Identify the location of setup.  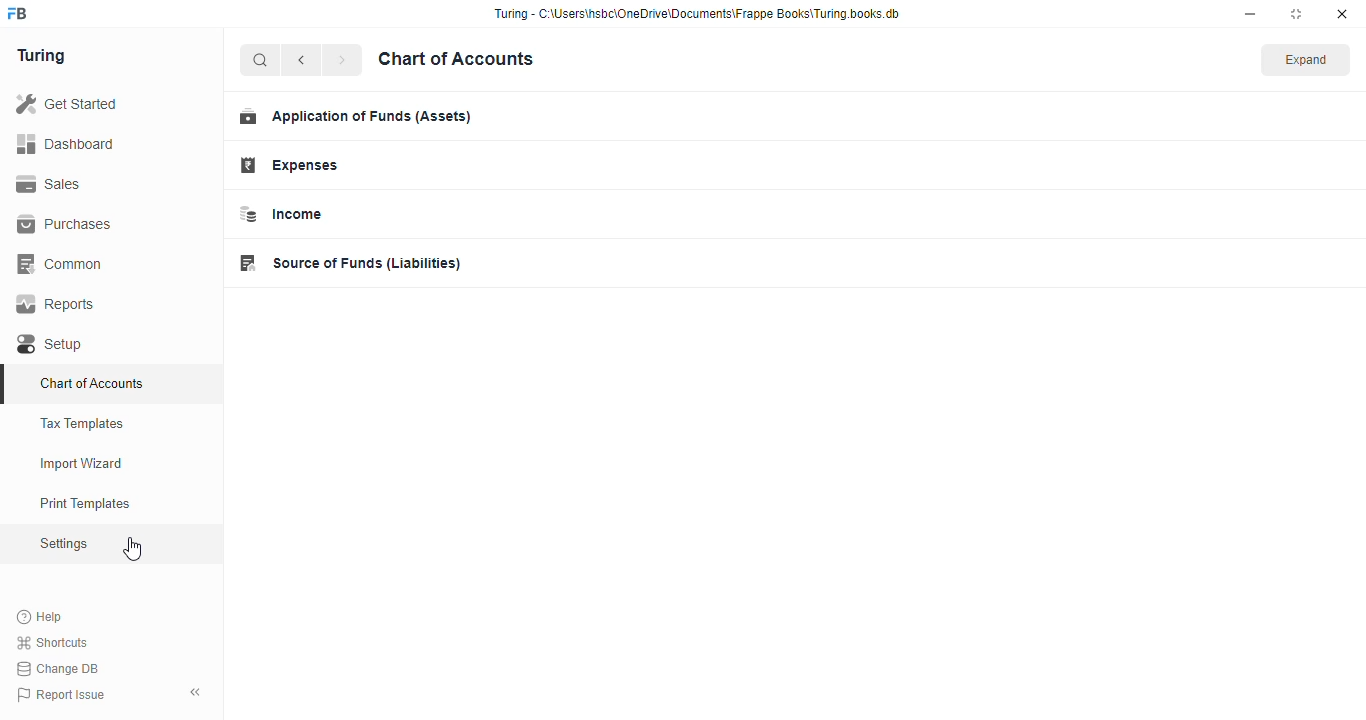
(51, 345).